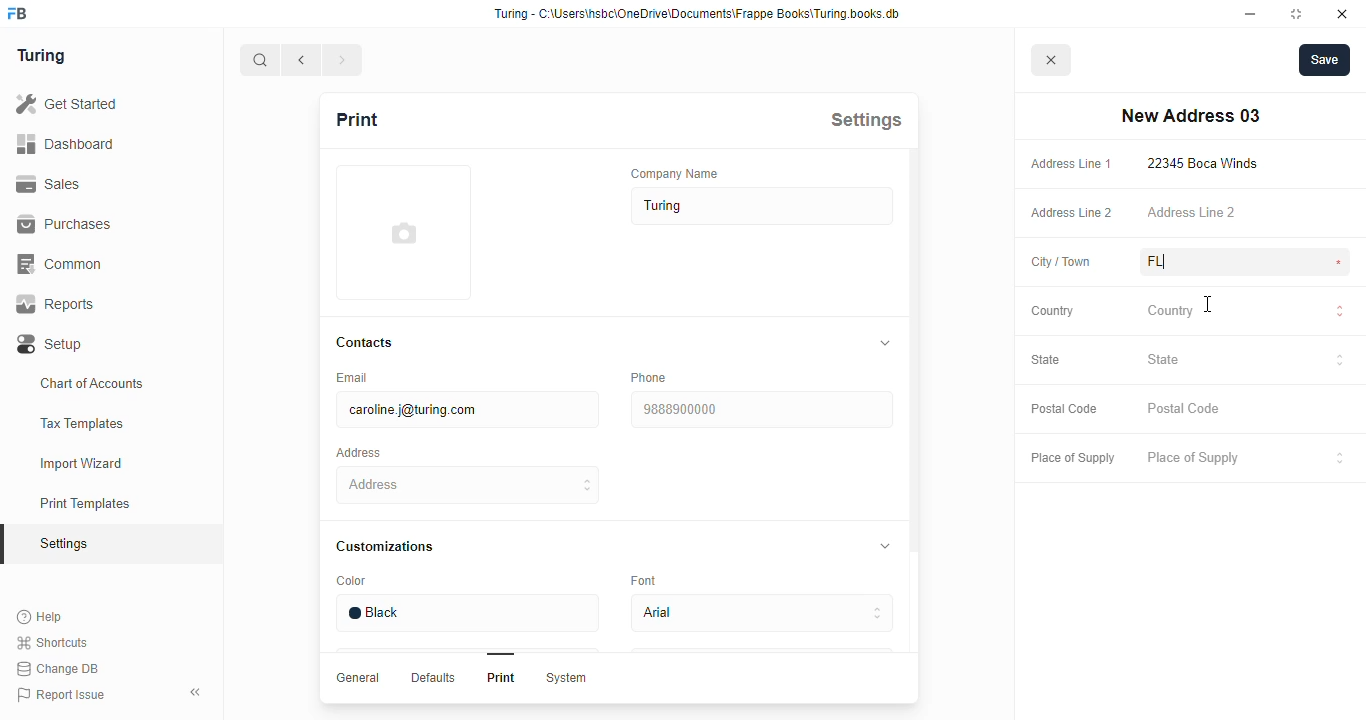  I want to click on place of supply, so click(1247, 459).